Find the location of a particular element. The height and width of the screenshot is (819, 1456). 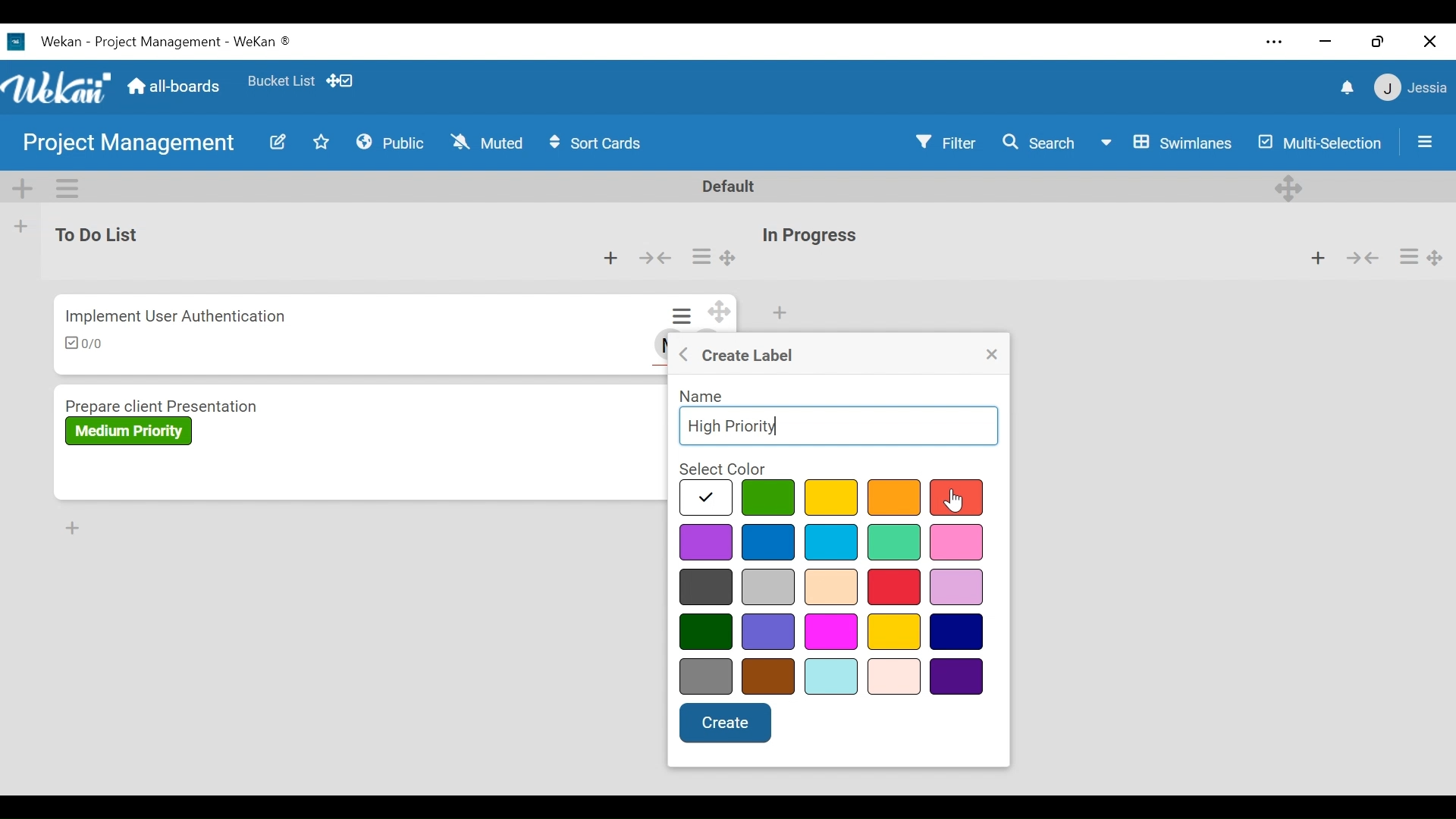

restore is located at coordinates (1378, 41).